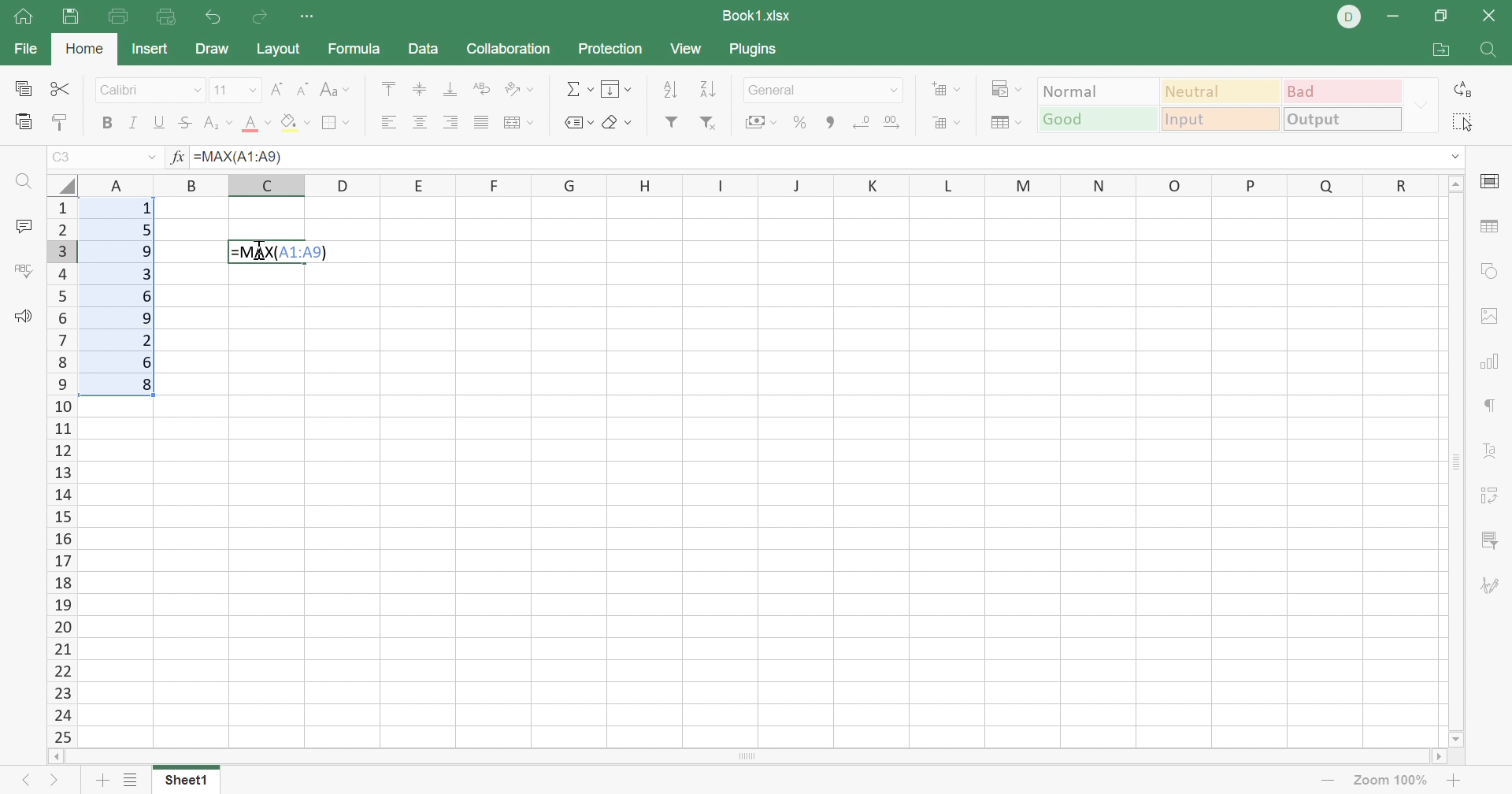  What do you see at coordinates (746, 758) in the screenshot?
I see `Scroll Bar` at bounding box center [746, 758].